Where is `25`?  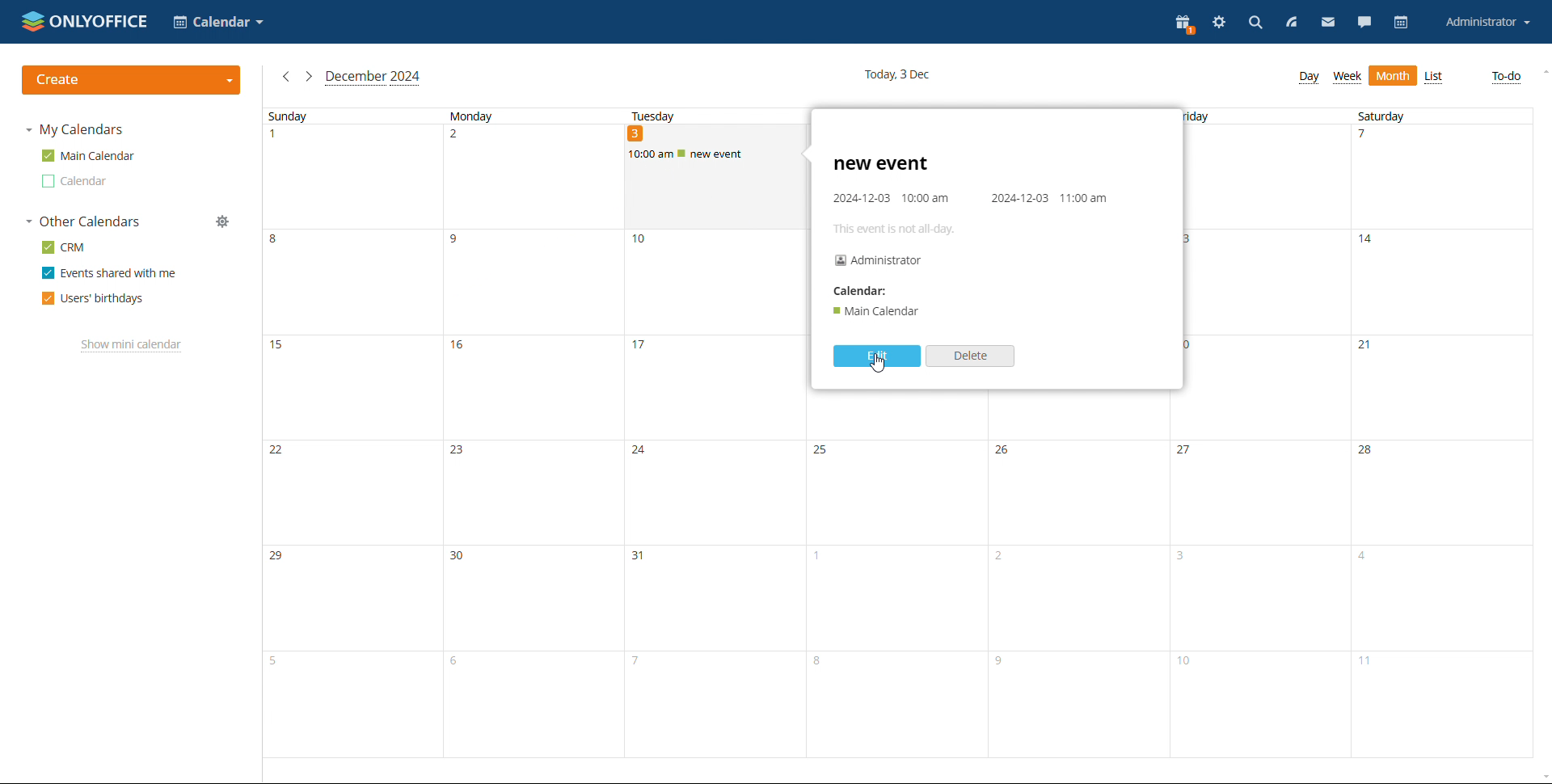
25 is located at coordinates (895, 493).